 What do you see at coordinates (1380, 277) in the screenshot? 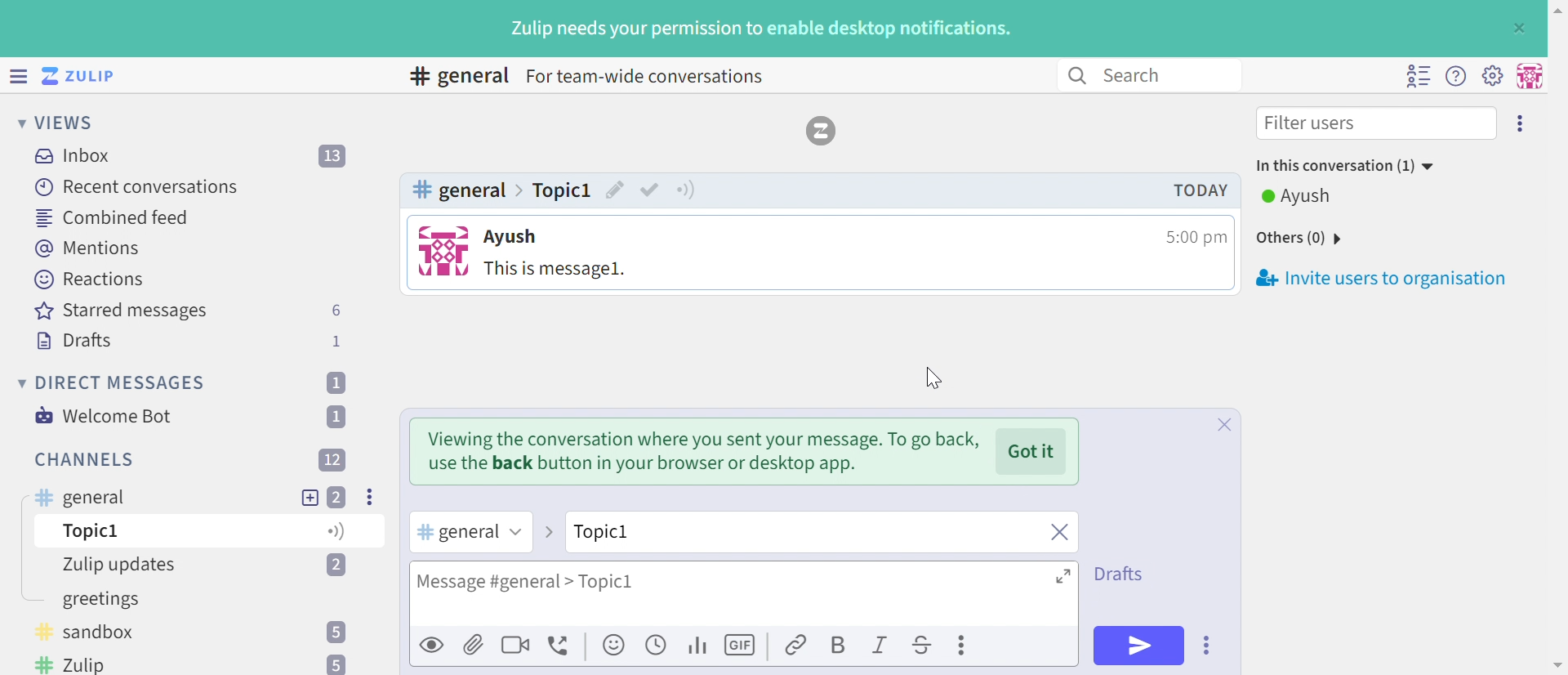
I see `Invite users to organisation` at bounding box center [1380, 277].